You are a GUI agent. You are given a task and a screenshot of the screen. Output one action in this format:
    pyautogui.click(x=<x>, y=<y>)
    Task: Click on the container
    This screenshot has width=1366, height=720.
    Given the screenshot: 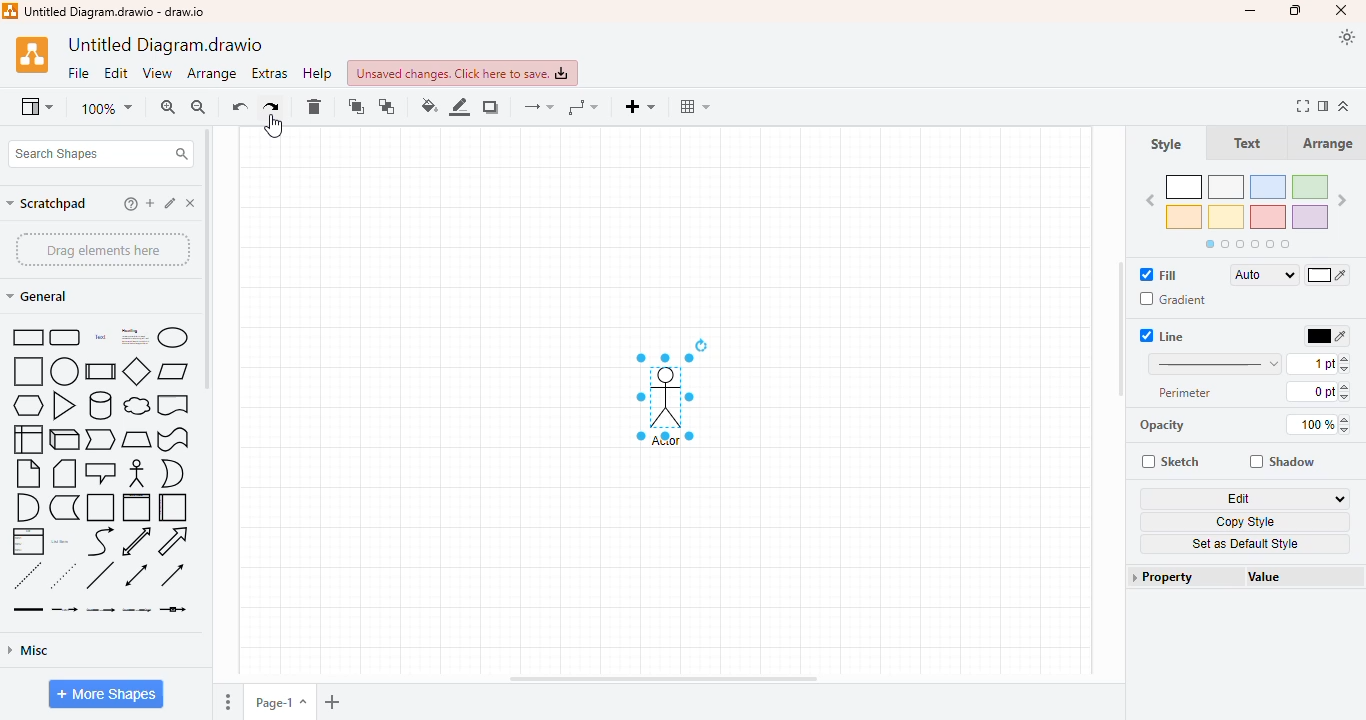 What is the action you would take?
    pyautogui.click(x=101, y=508)
    